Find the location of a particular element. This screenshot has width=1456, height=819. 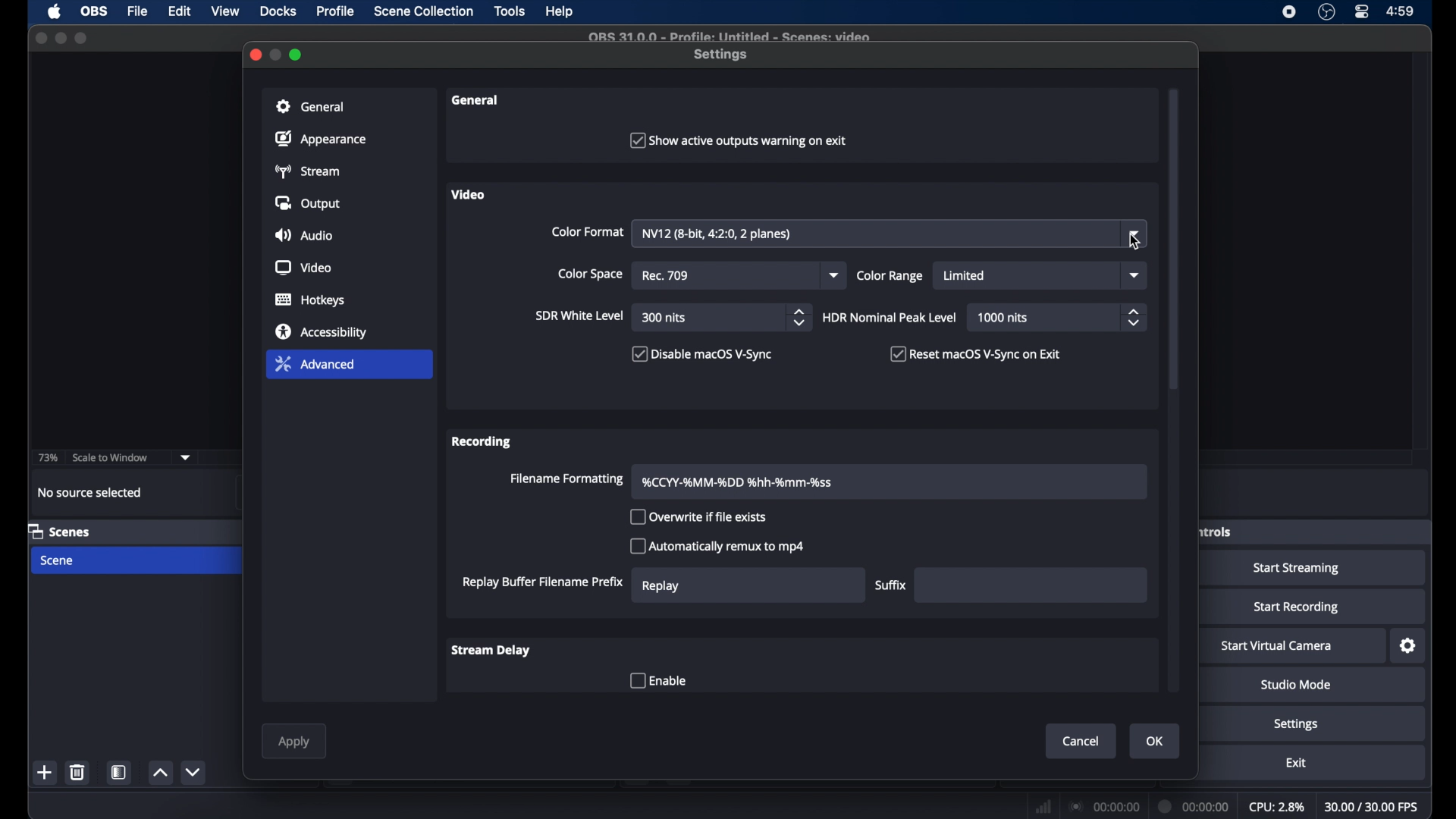

maximize is located at coordinates (83, 38).